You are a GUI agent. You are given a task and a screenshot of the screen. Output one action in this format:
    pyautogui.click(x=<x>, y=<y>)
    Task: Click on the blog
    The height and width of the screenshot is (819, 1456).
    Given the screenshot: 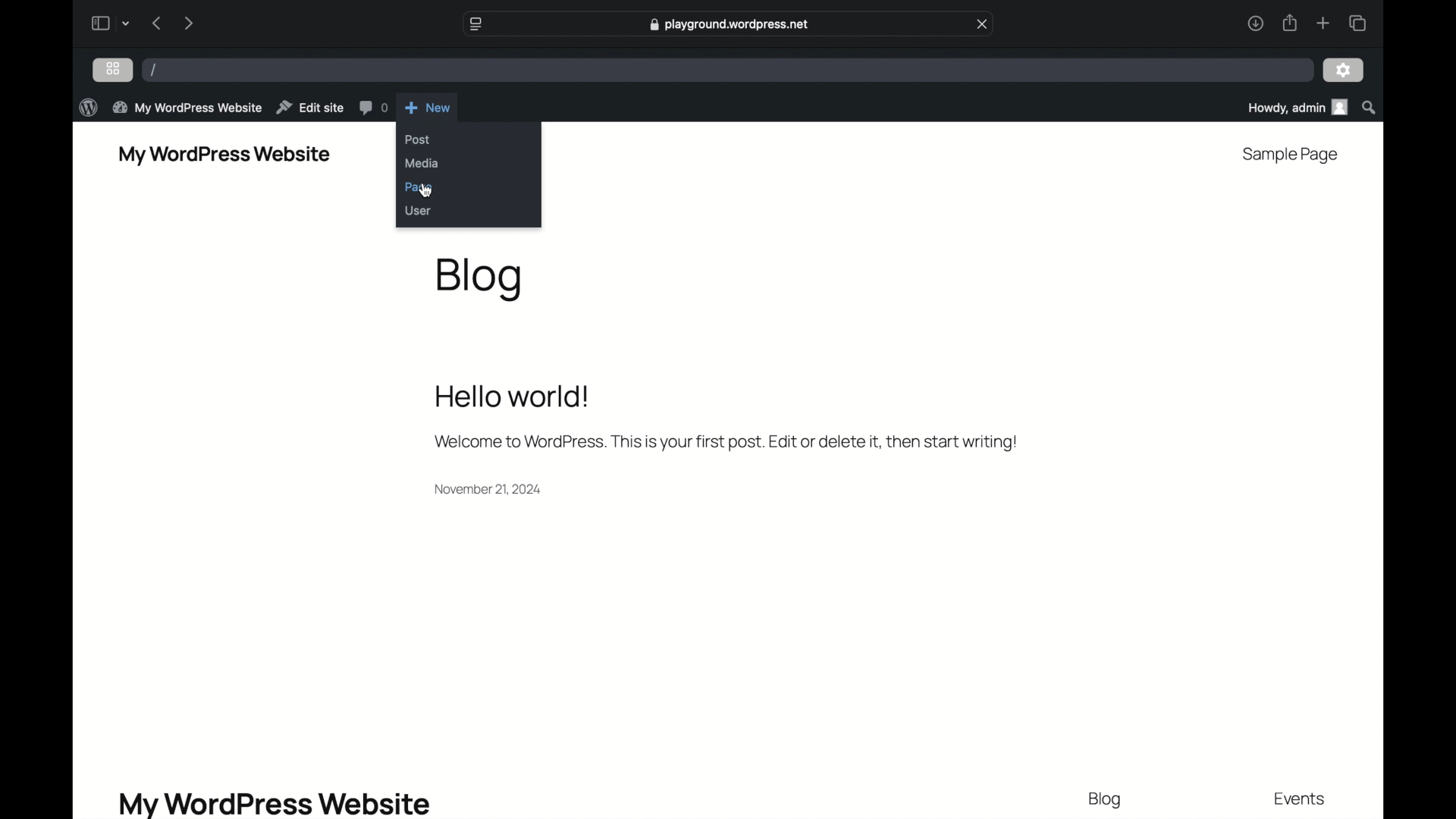 What is the action you would take?
    pyautogui.click(x=479, y=281)
    